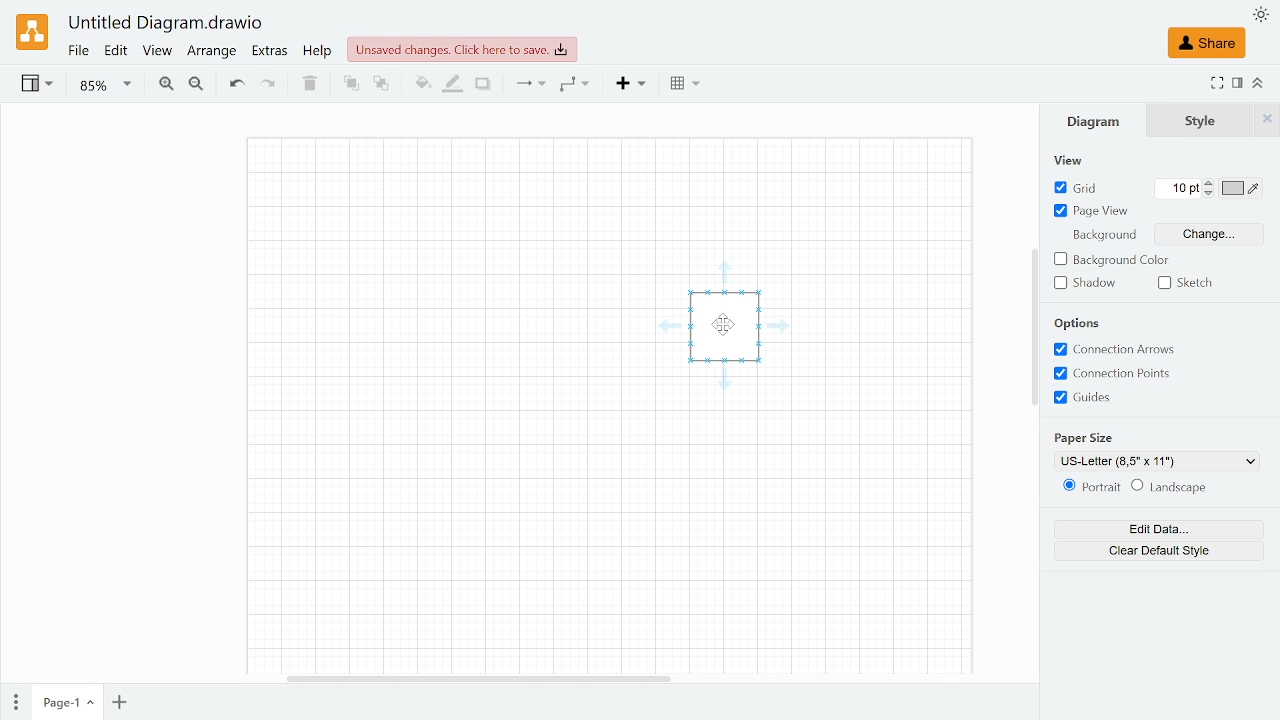  Describe the element at coordinates (1032, 327) in the screenshot. I see `Vertical scrollbar` at that location.